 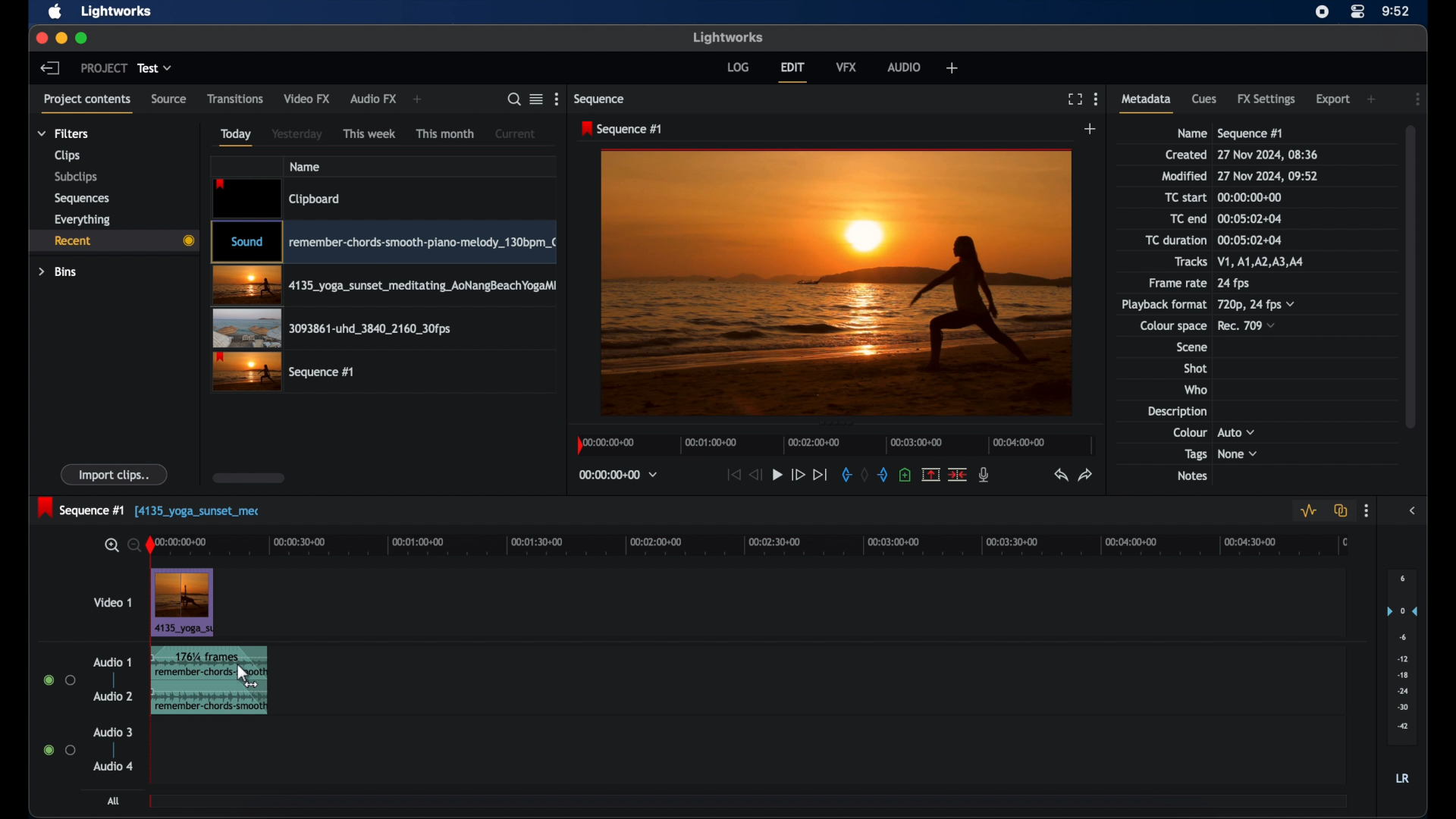 I want to click on timeline scale, so click(x=836, y=445).